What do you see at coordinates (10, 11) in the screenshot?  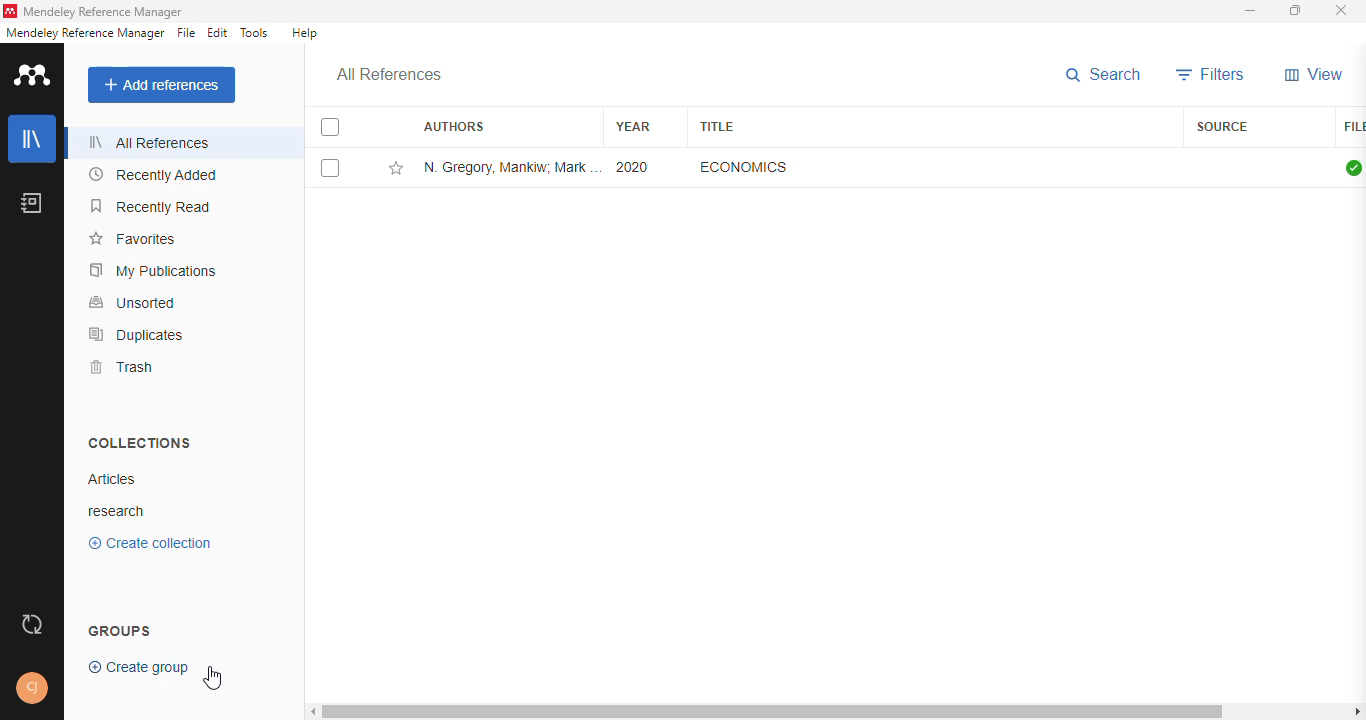 I see `logo` at bounding box center [10, 11].